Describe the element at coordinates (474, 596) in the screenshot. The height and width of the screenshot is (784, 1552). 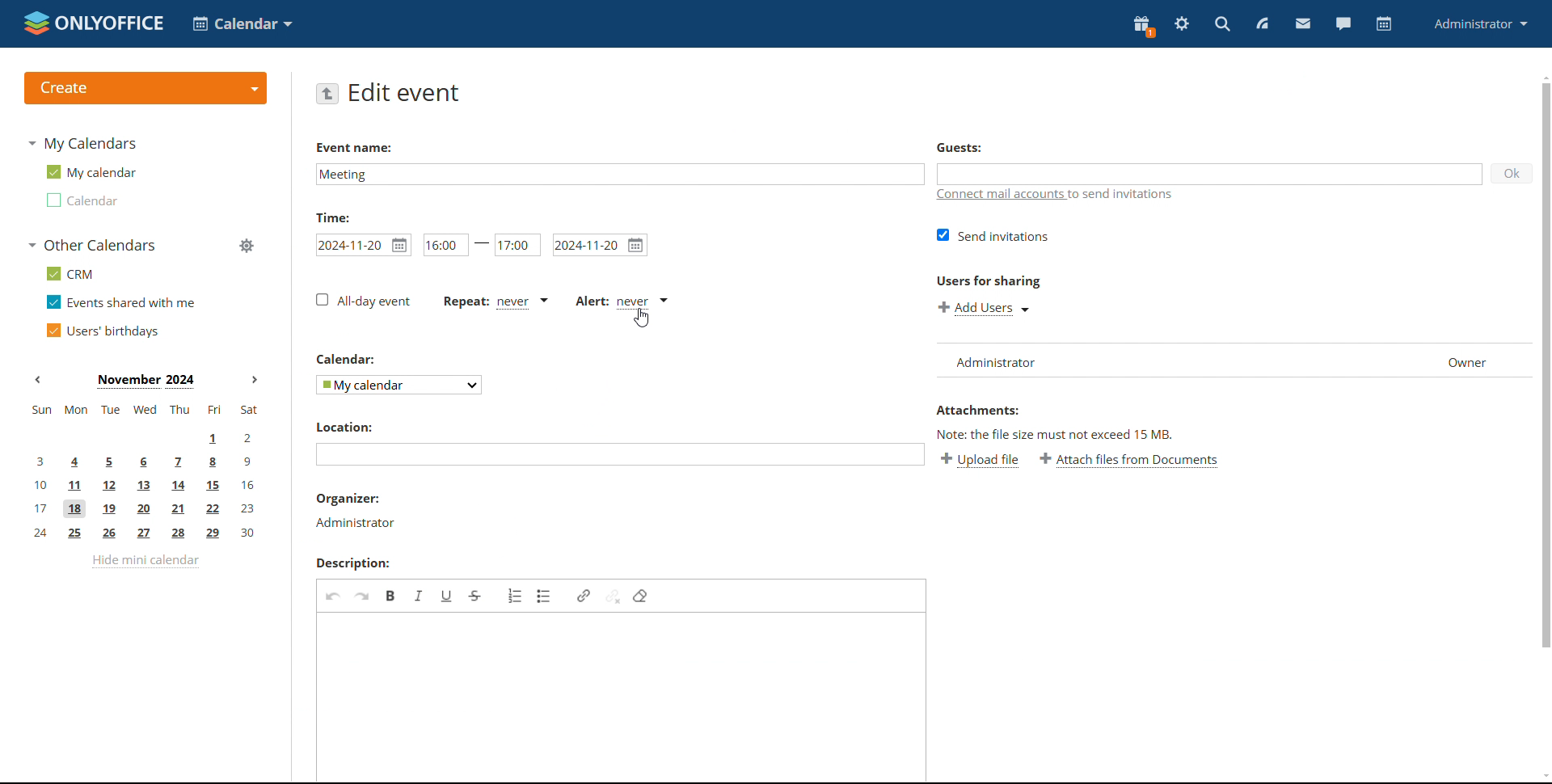
I see `strikethrough` at that location.